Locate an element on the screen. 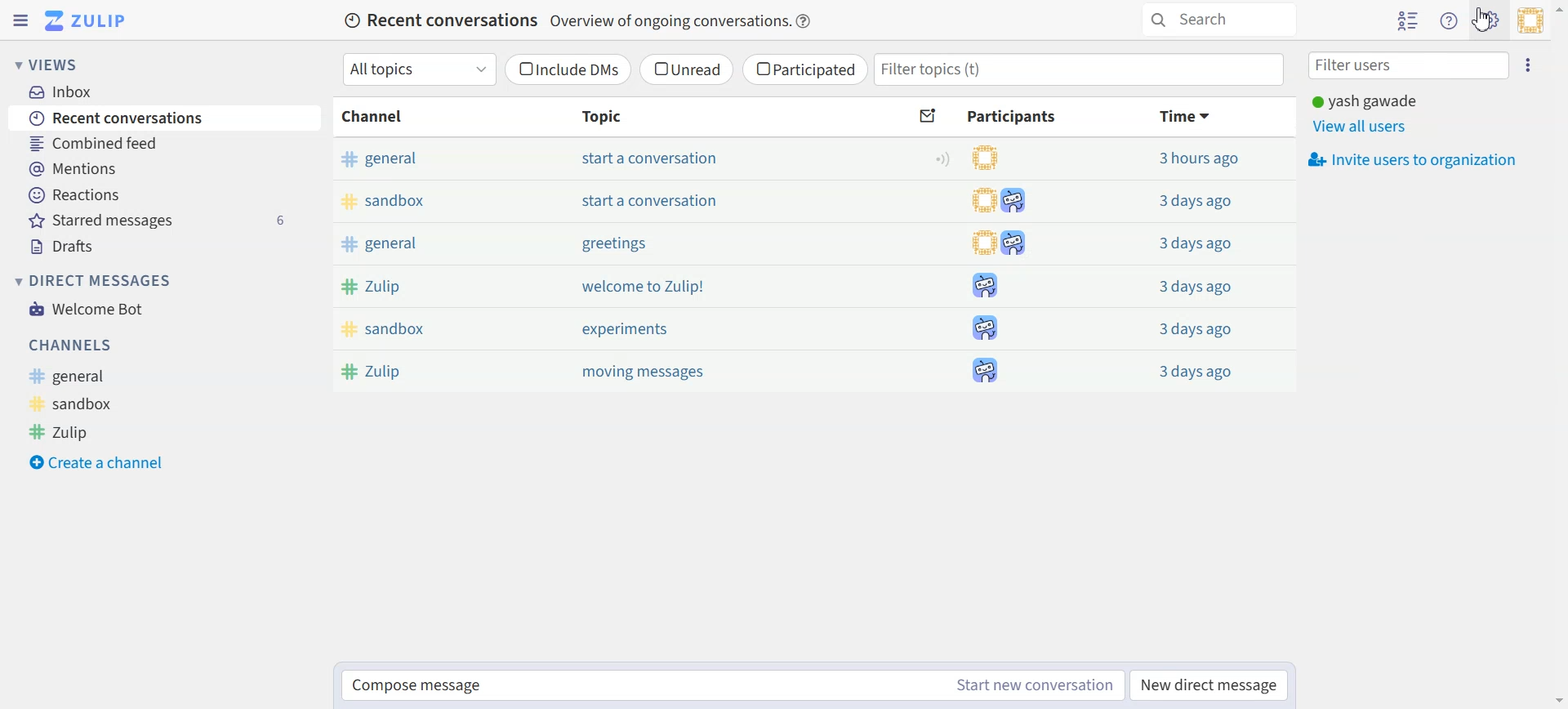 The width and height of the screenshot is (1568, 709). Channel is located at coordinates (380, 117).